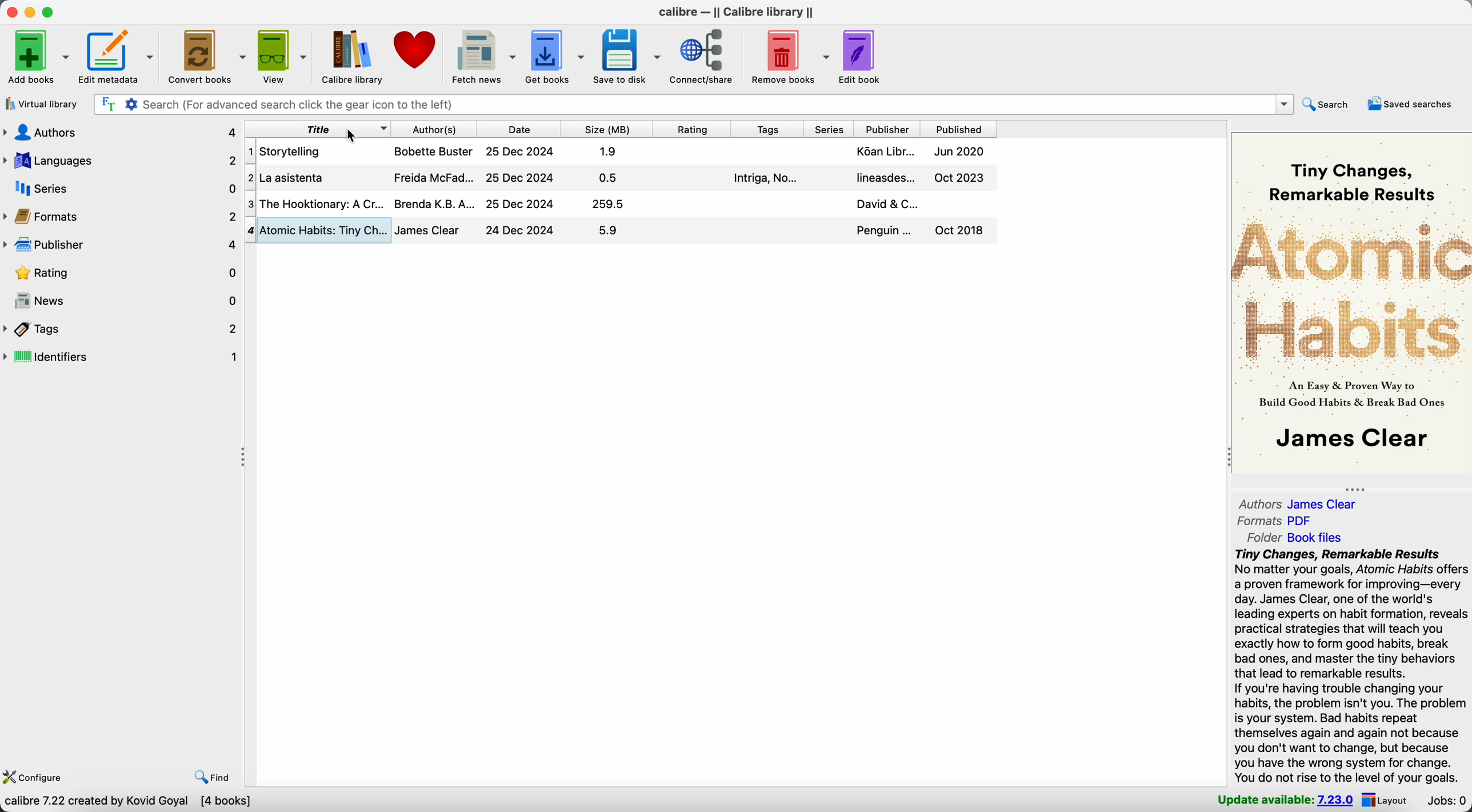  What do you see at coordinates (1279, 521) in the screenshot?
I see `formats PDF` at bounding box center [1279, 521].